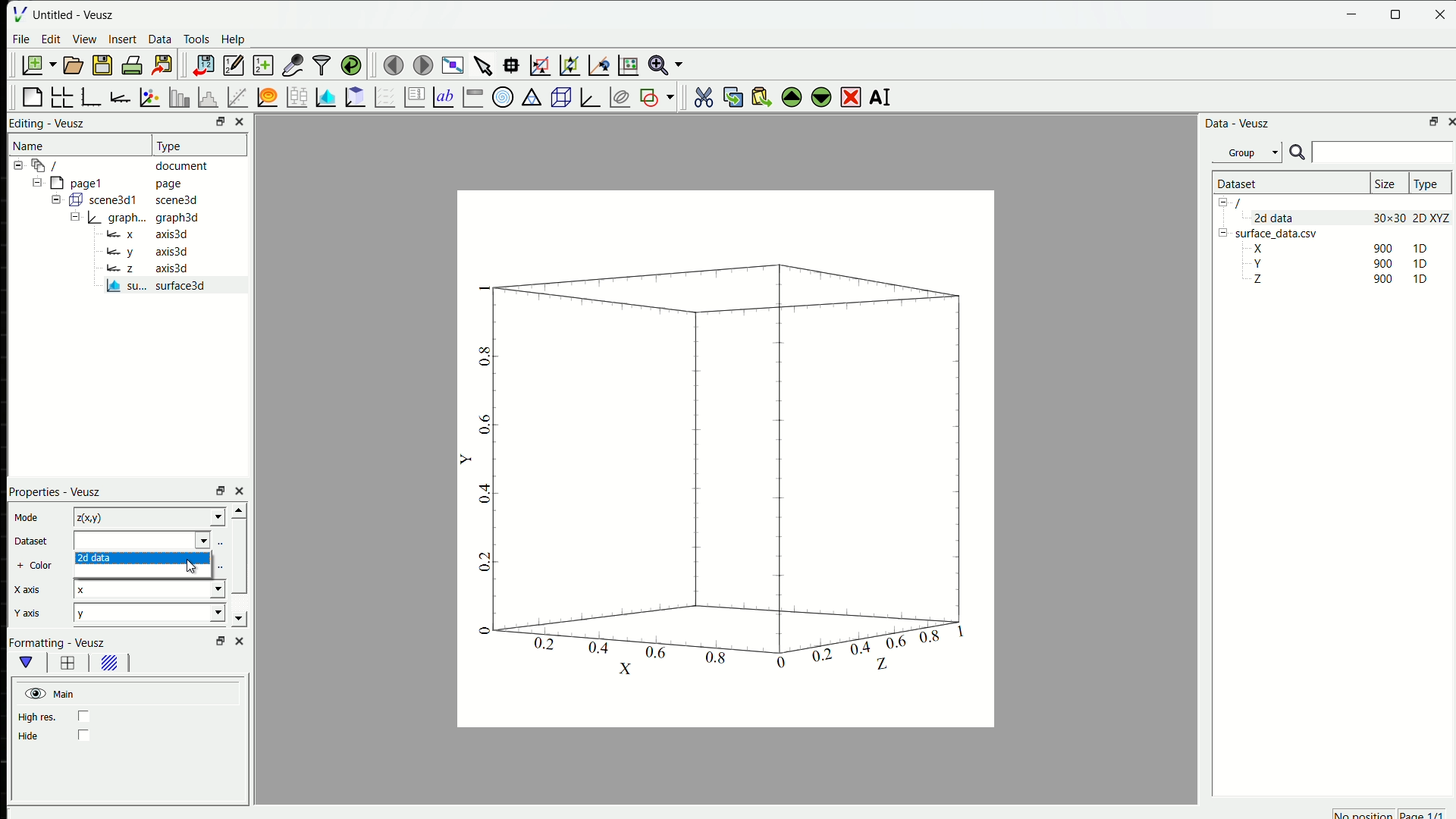  Describe the element at coordinates (107, 199) in the screenshot. I see `` at that location.